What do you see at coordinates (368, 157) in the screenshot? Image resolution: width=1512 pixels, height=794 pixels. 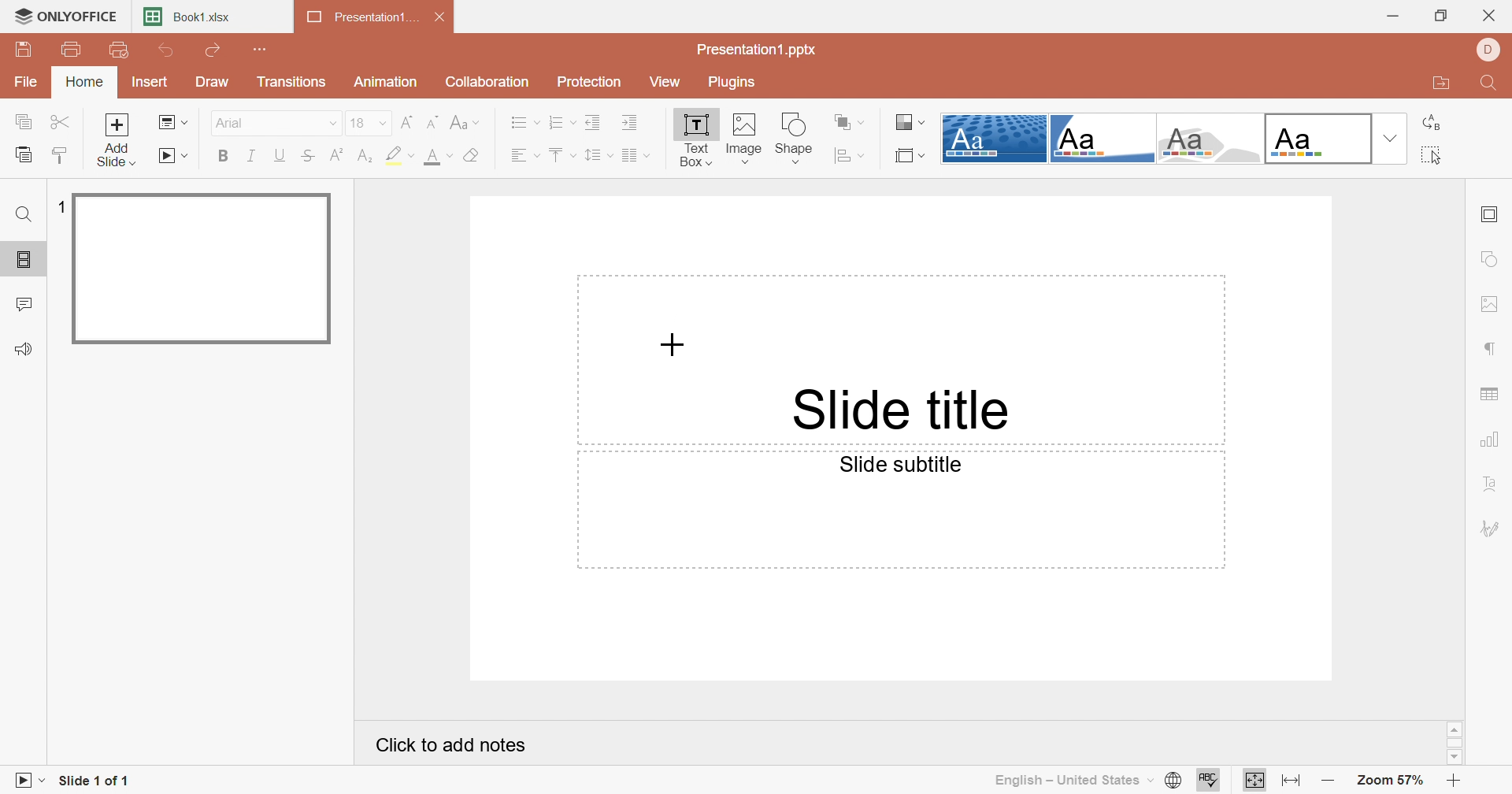 I see `Subscript` at bounding box center [368, 157].